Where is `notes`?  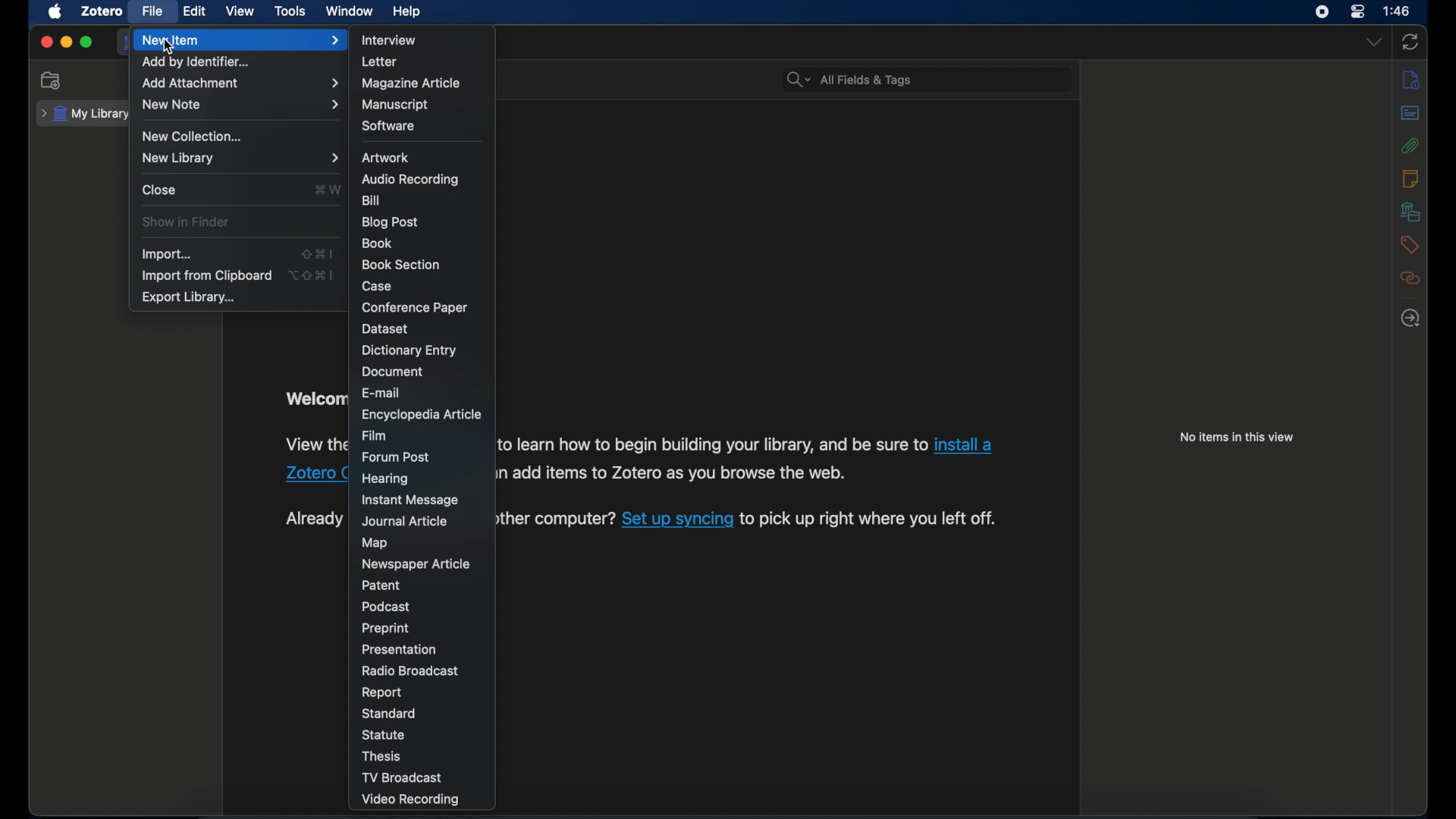 notes is located at coordinates (1410, 178).